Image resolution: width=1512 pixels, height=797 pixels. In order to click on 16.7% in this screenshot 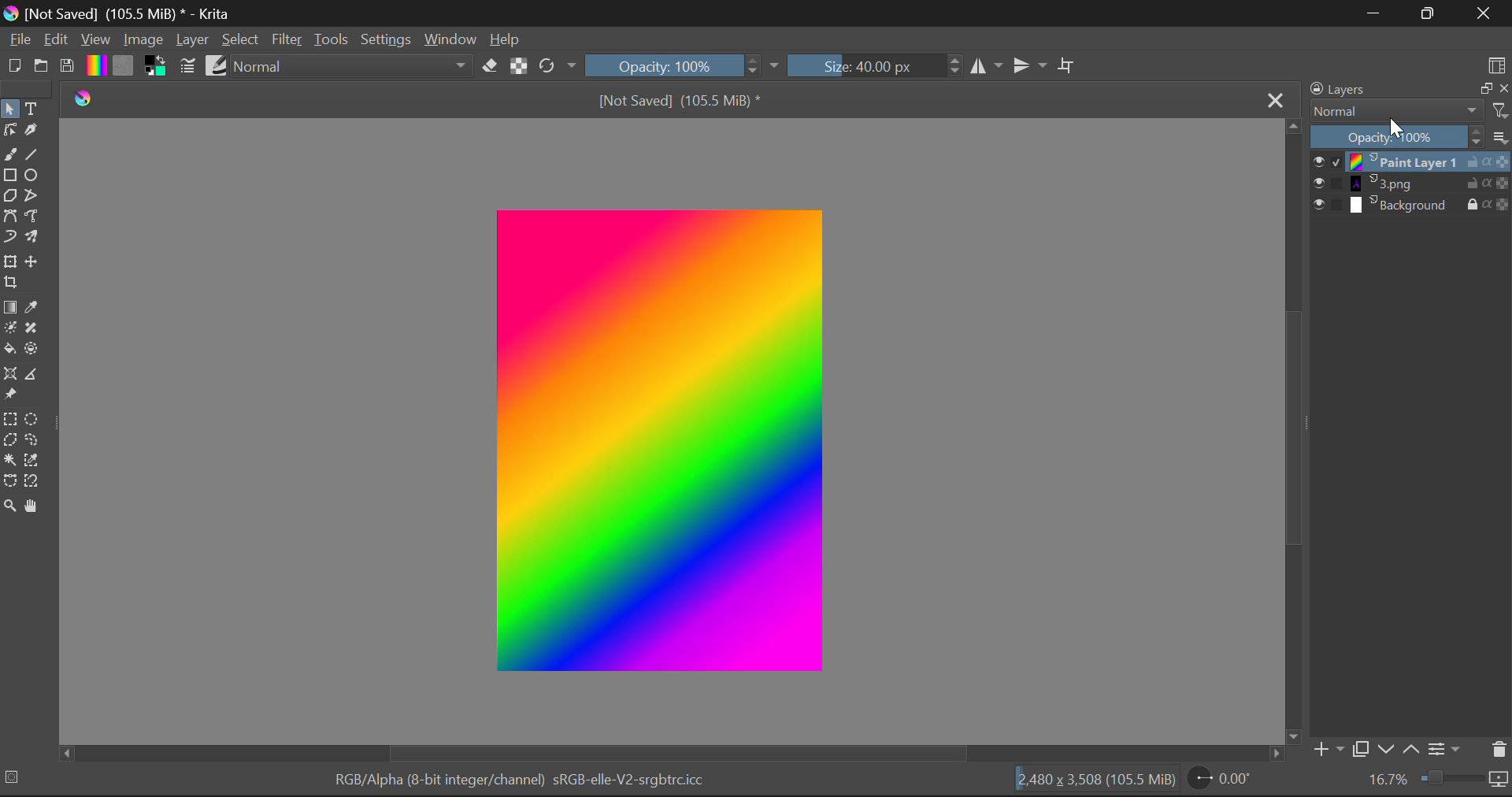, I will do `click(1386, 779)`.